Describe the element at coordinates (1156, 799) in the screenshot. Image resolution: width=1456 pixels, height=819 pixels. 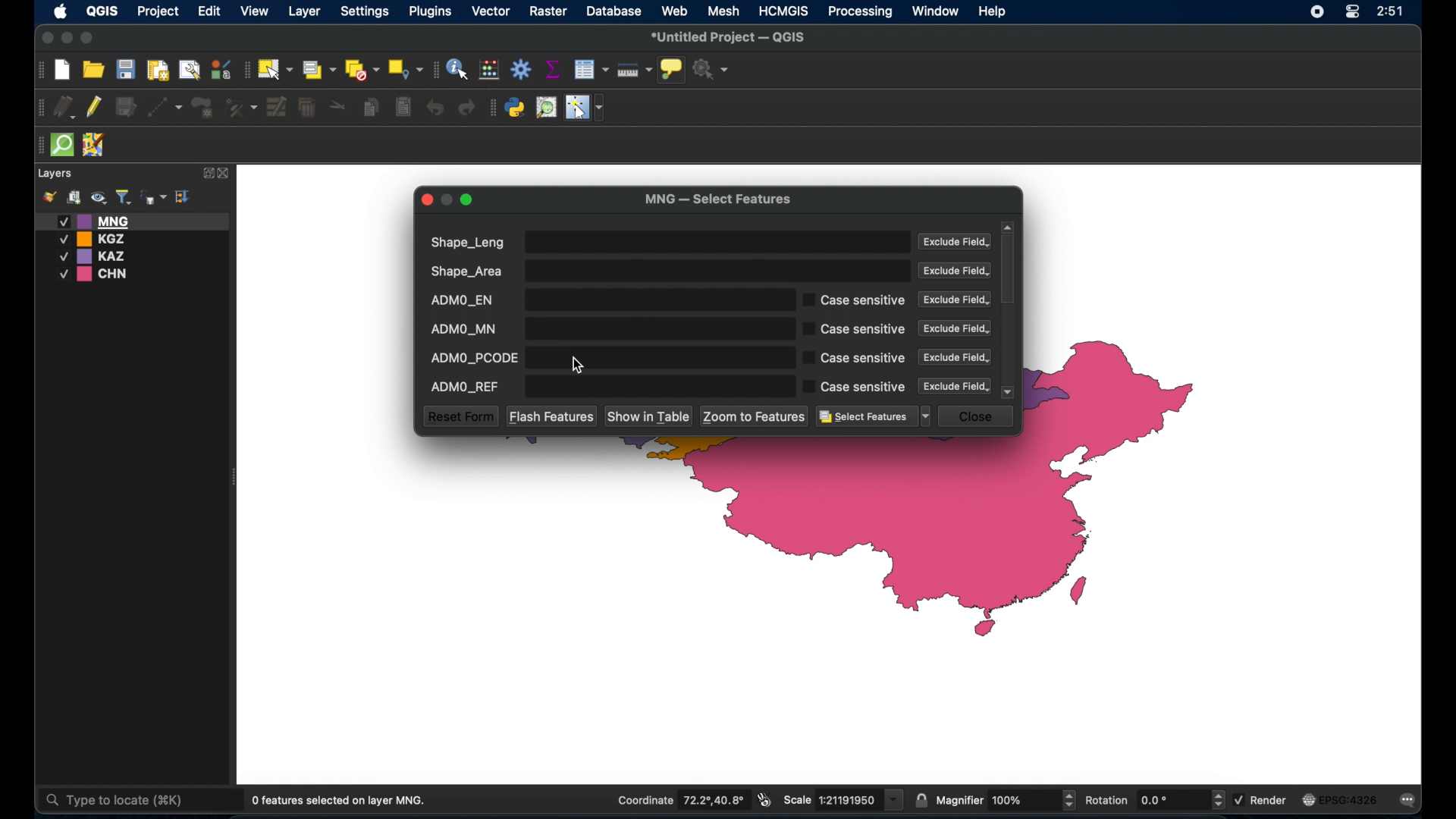
I see `rotation 0.0` at that location.